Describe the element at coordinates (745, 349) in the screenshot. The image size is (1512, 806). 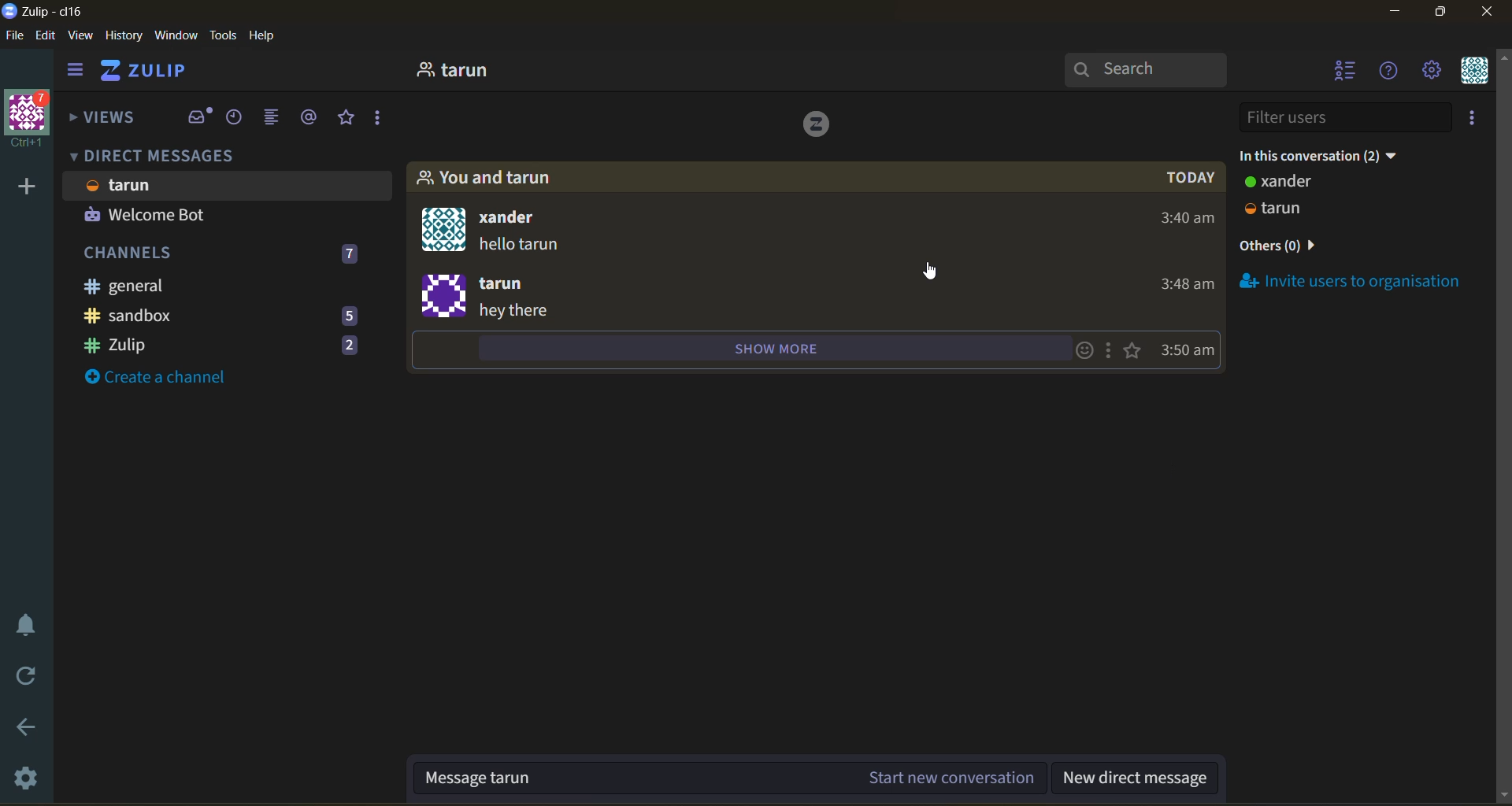
I see `show more` at that location.